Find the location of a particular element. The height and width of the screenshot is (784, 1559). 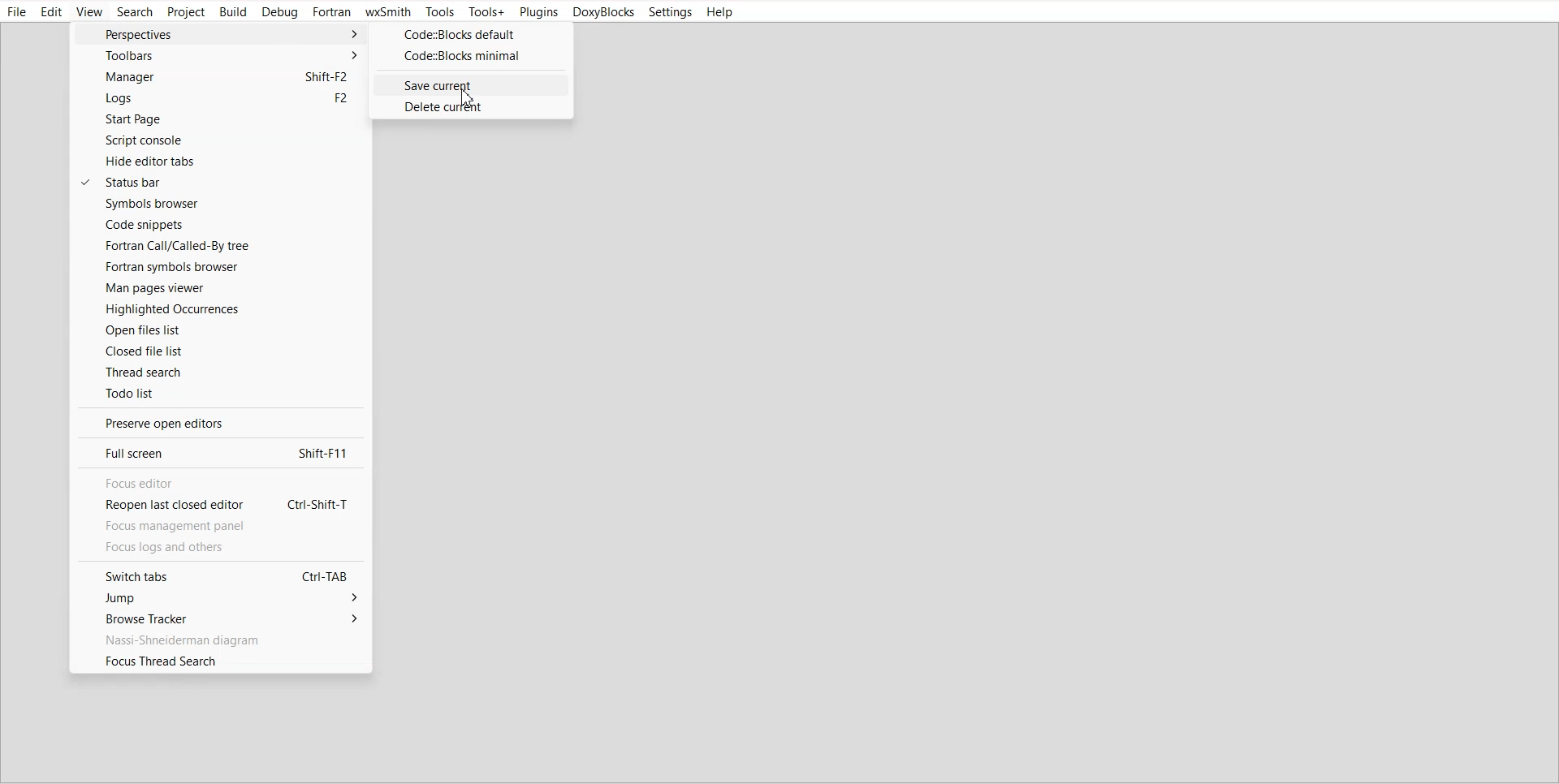

Tools is located at coordinates (438, 12).